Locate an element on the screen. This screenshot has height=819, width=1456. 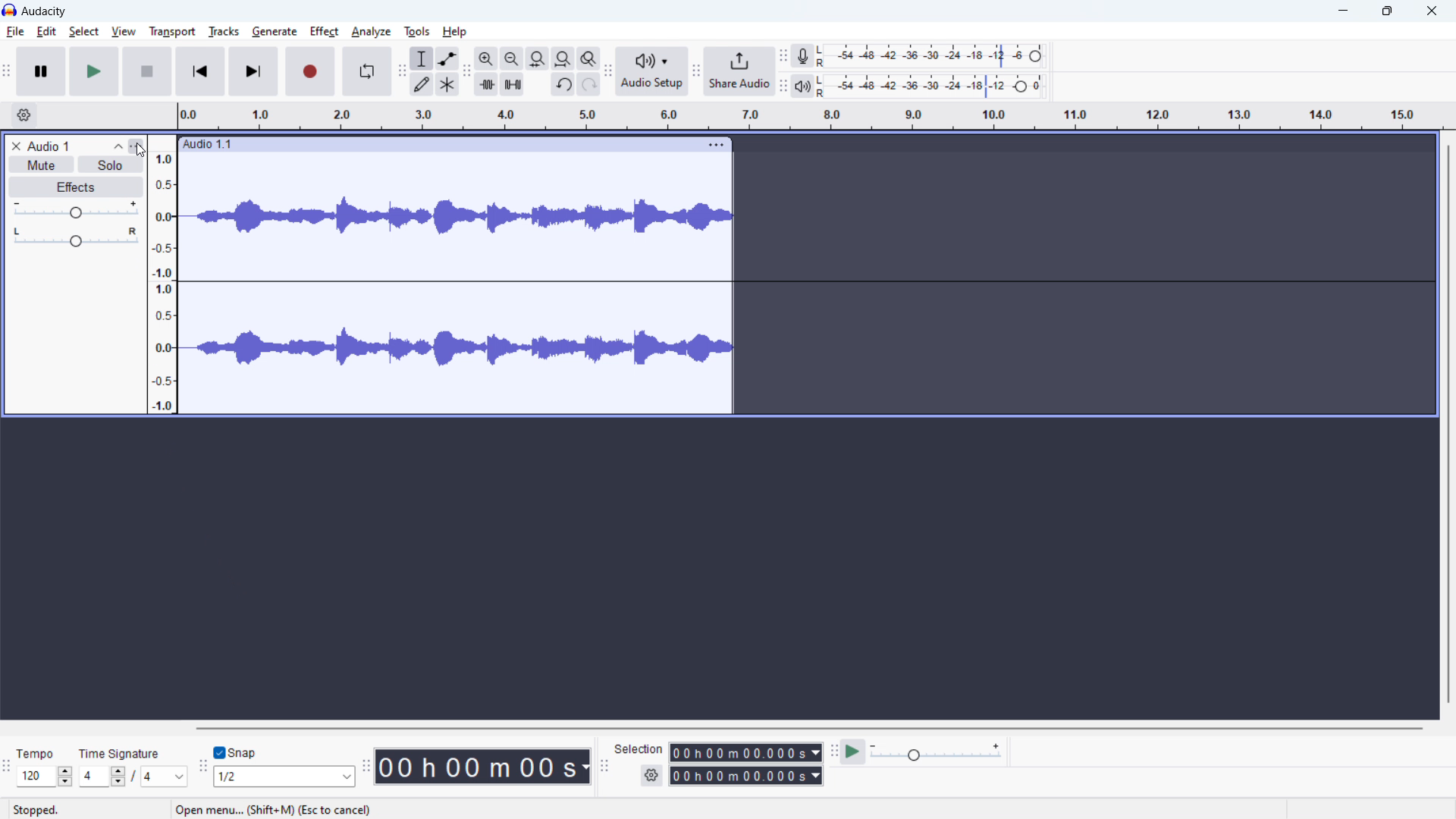
play at speed is located at coordinates (854, 752).